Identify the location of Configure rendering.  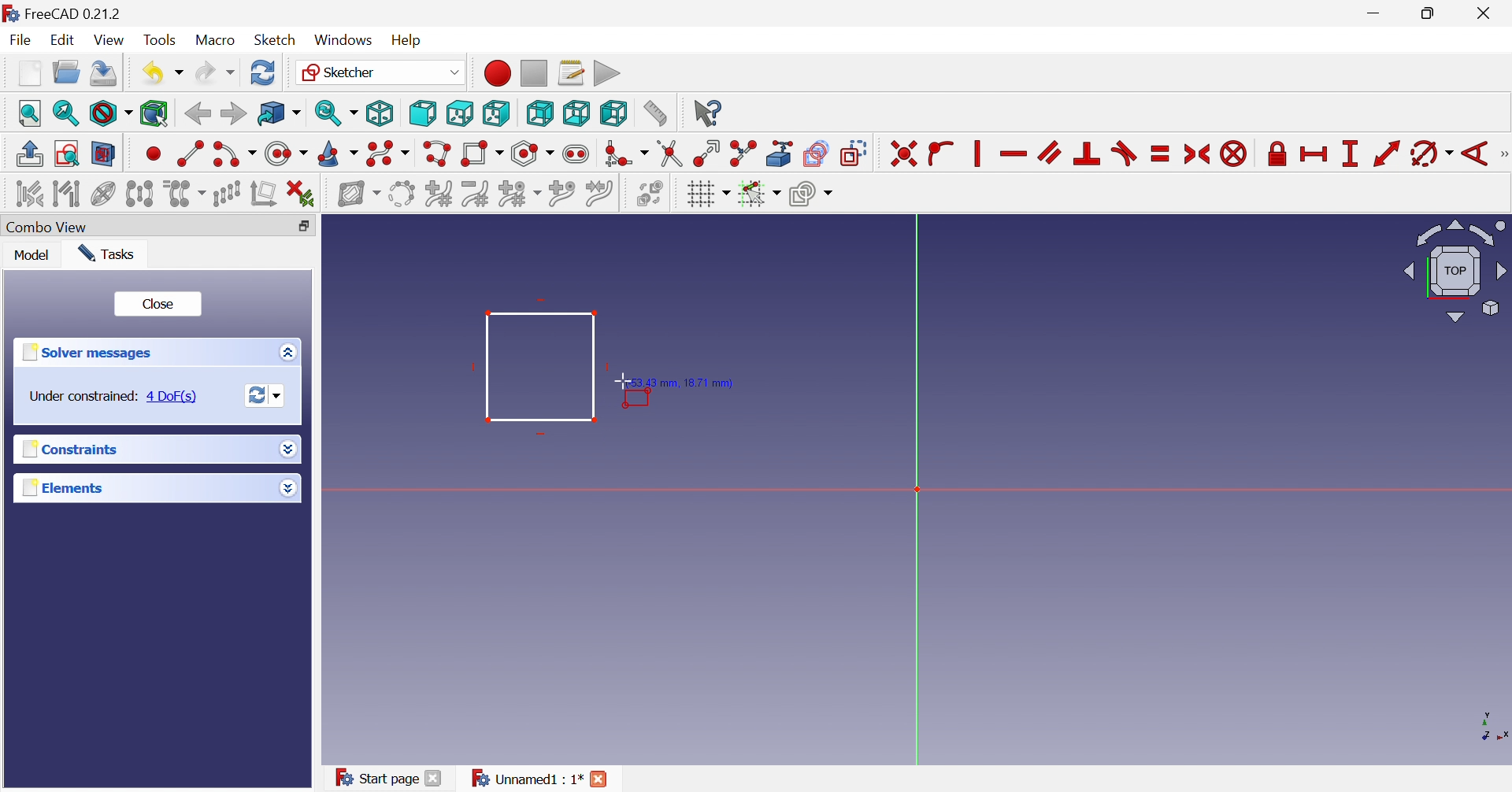
(811, 196).